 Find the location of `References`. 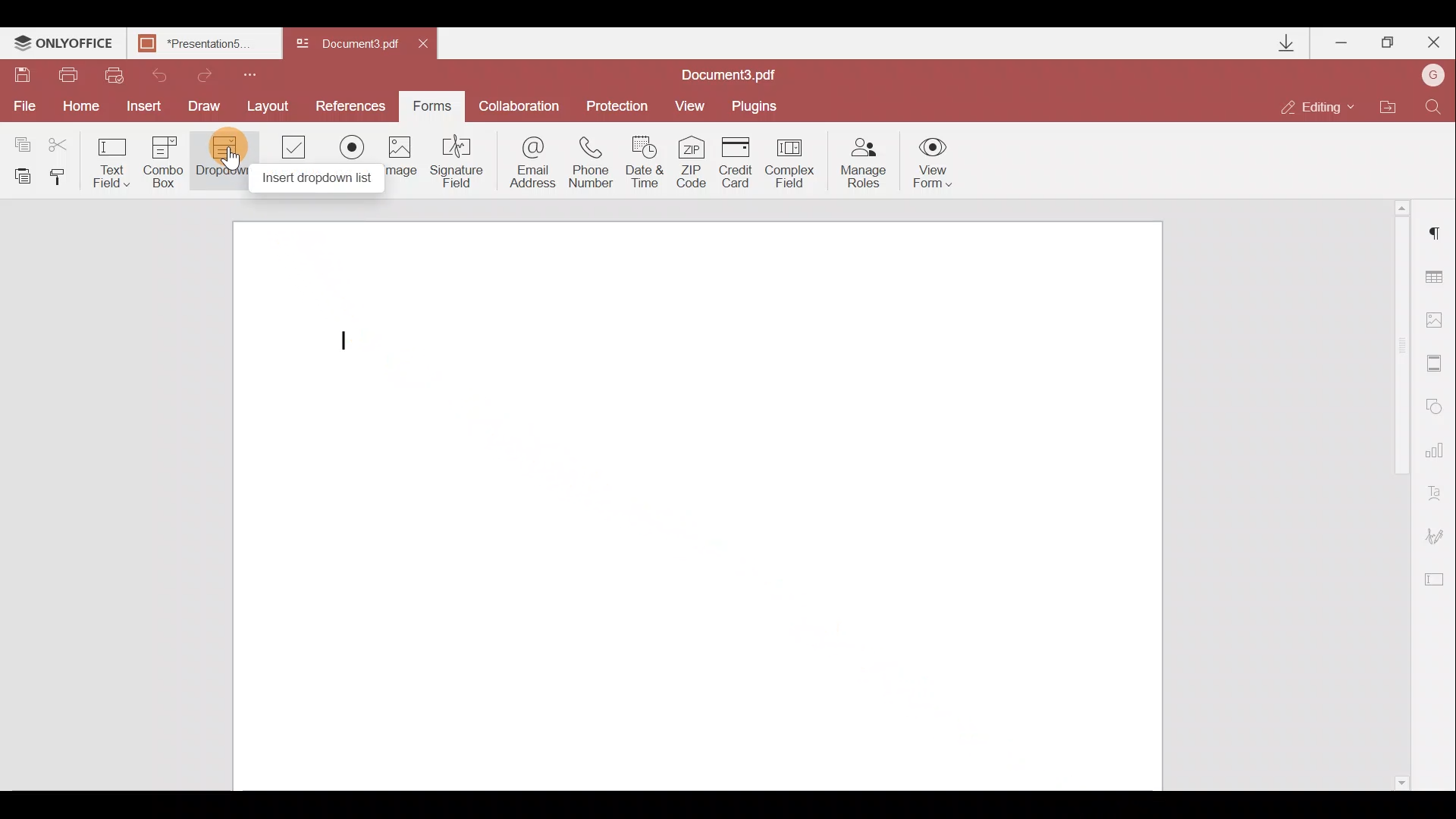

References is located at coordinates (353, 105).